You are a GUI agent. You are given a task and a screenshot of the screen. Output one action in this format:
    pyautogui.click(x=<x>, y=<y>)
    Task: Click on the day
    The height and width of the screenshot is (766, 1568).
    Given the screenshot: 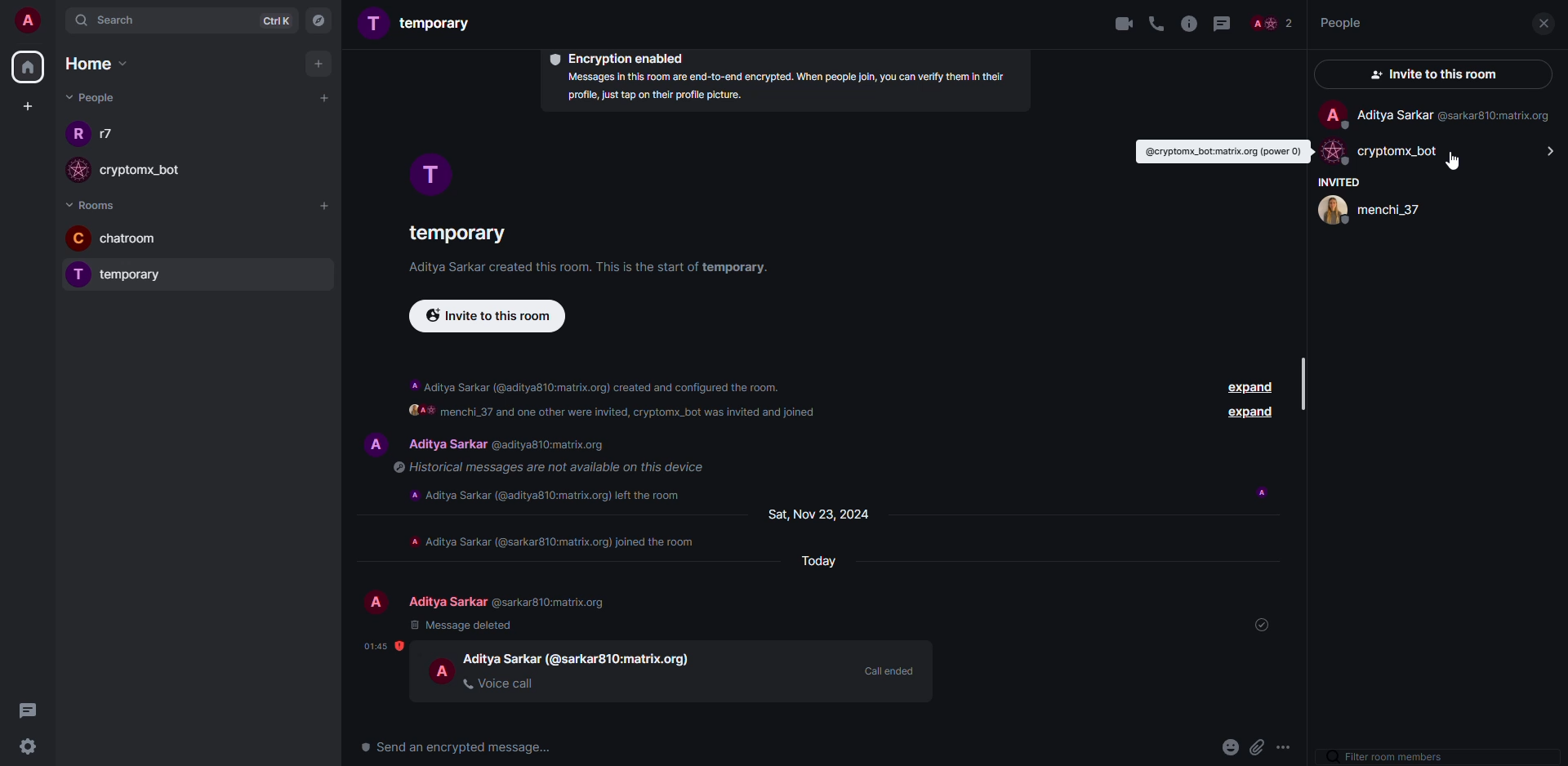 What is the action you would take?
    pyautogui.click(x=826, y=513)
    